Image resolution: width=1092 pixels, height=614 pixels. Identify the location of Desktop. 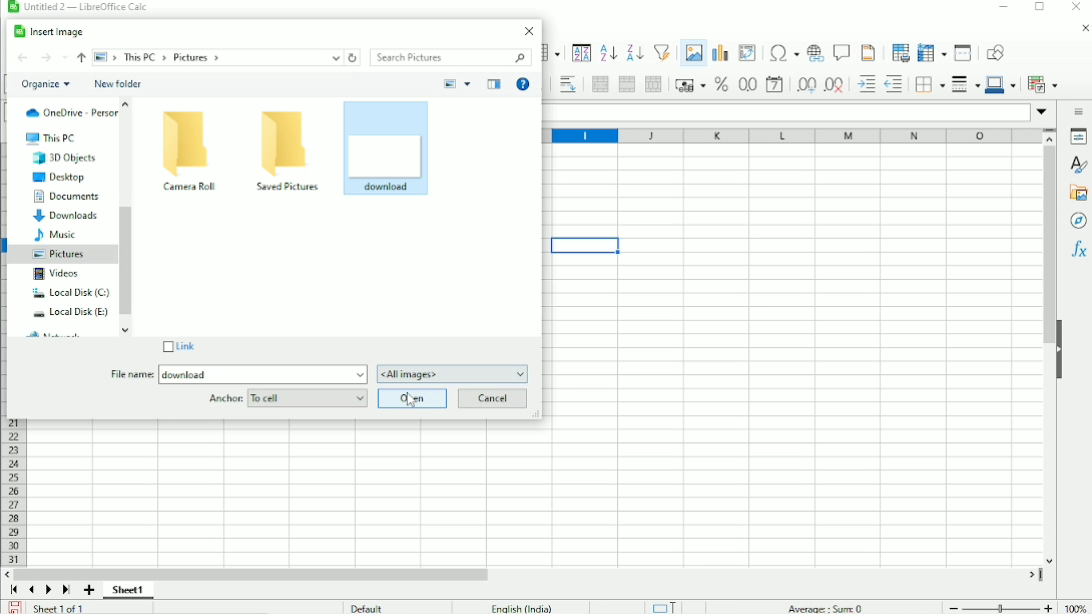
(58, 178).